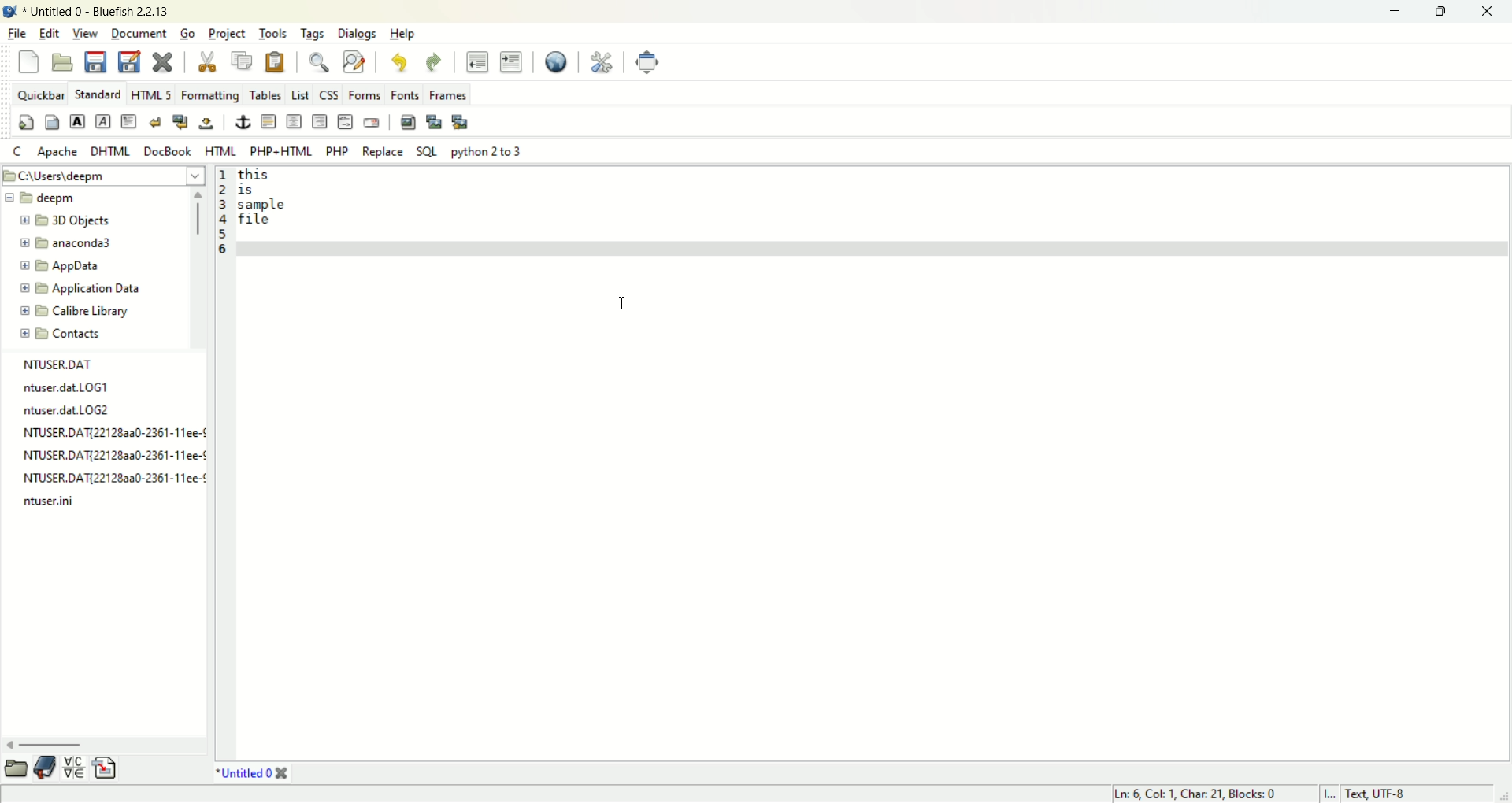  I want to click on break, so click(156, 122).